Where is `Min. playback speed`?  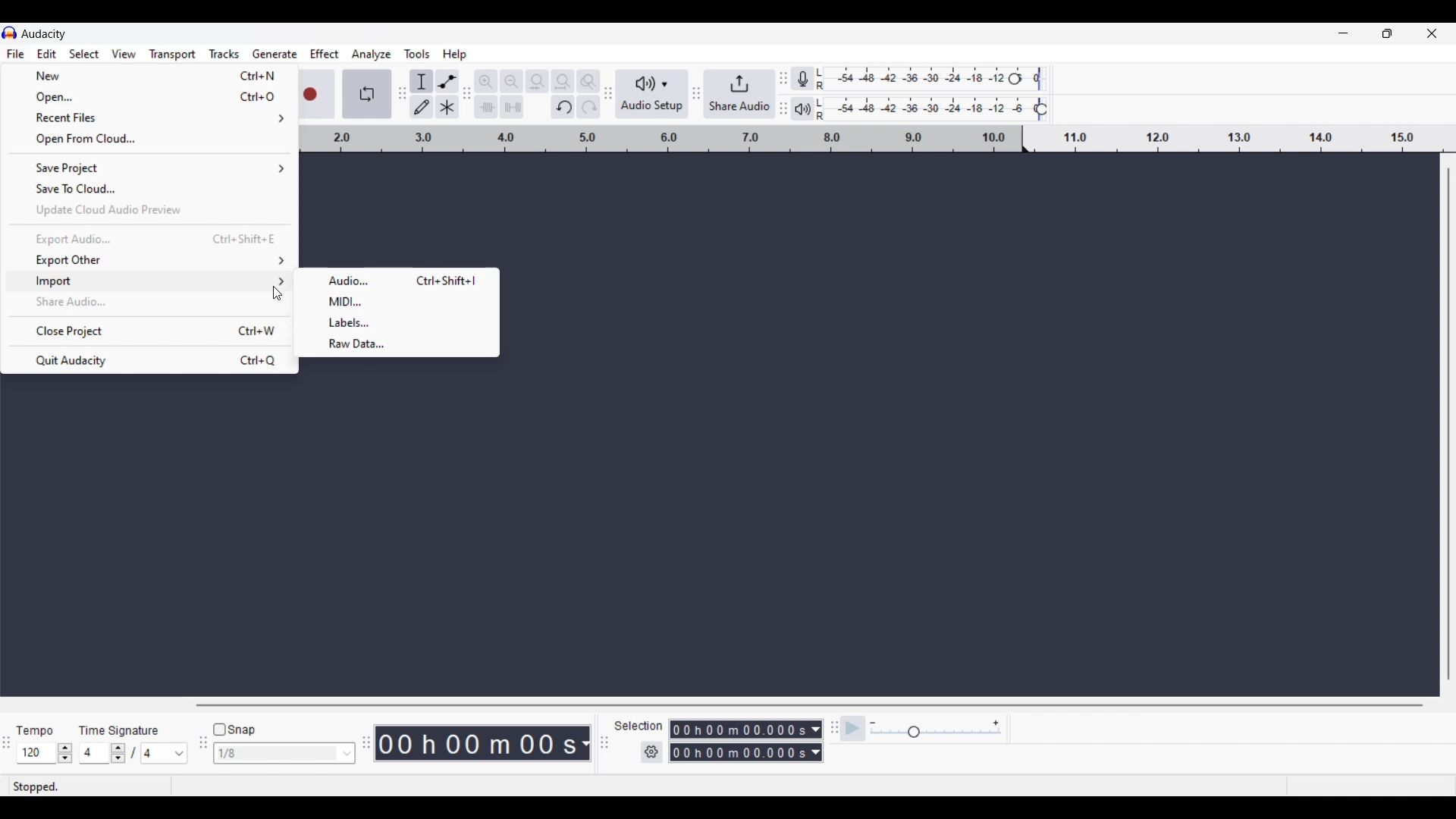
Min. playback speed is located at coordinates (873, 723).